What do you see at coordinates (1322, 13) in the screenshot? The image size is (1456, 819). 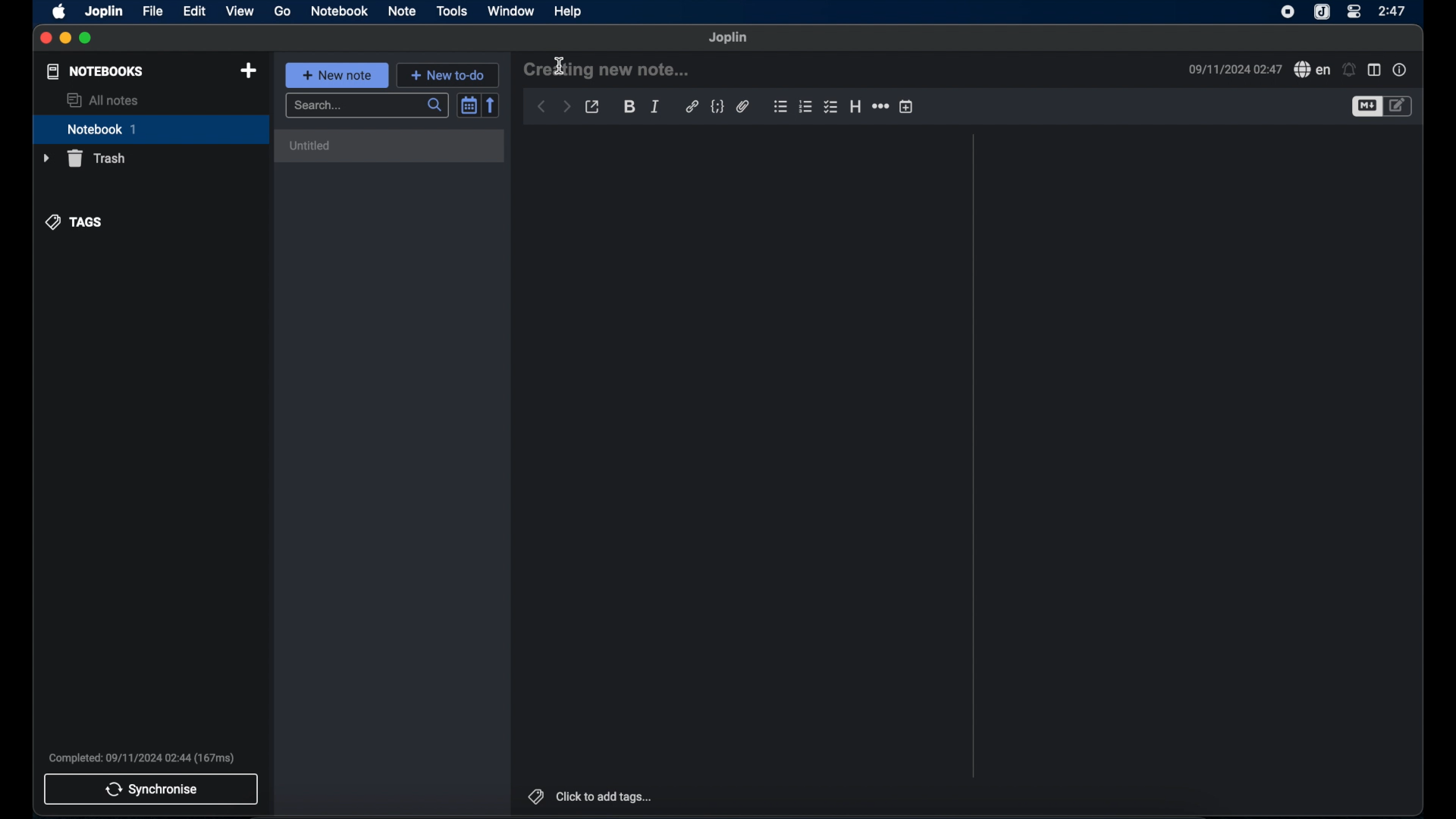 I see `joplin icon` at bounding box center [1322, 13].